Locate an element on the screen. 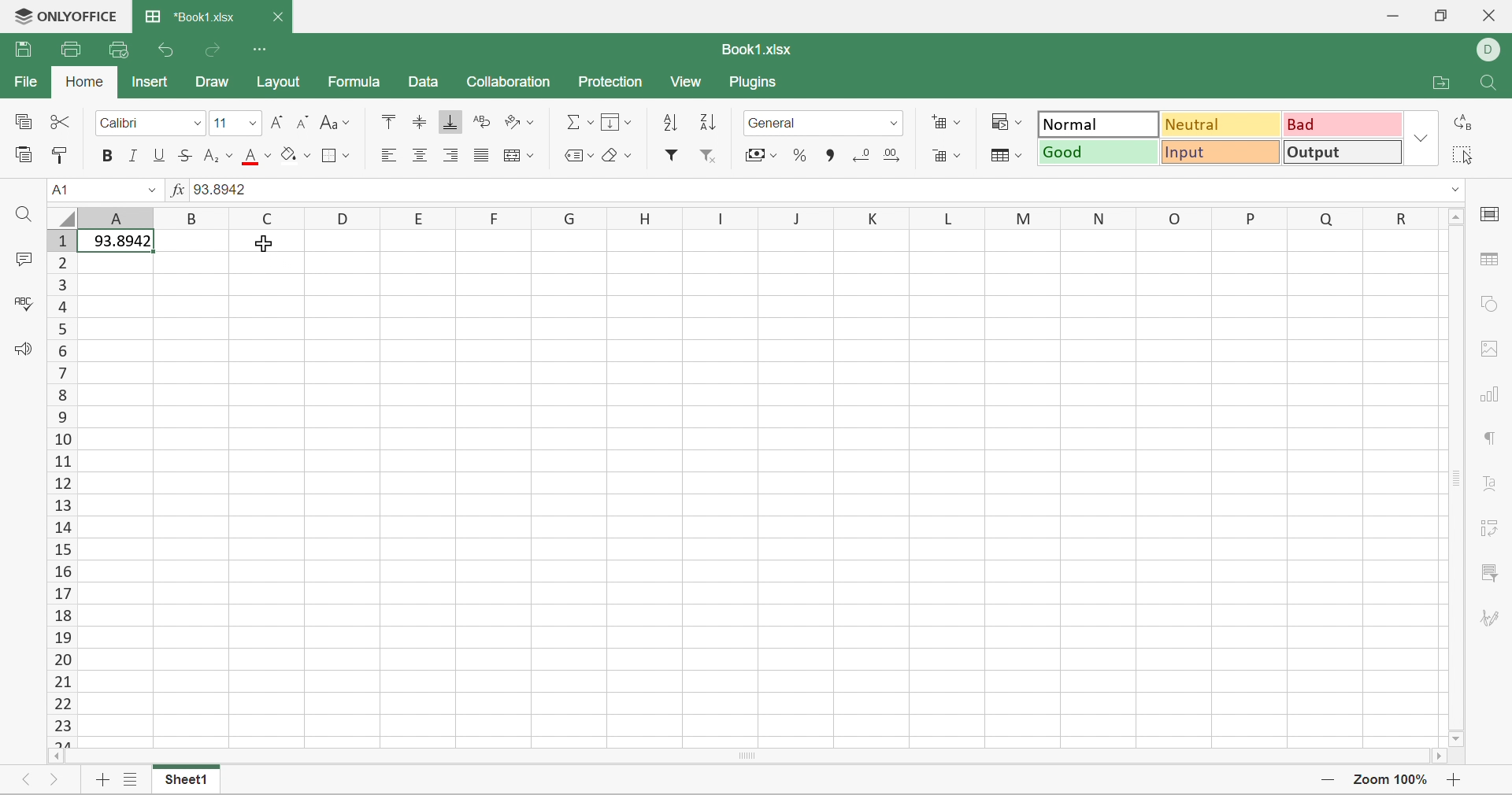  File is located at coordinates (24, 80).